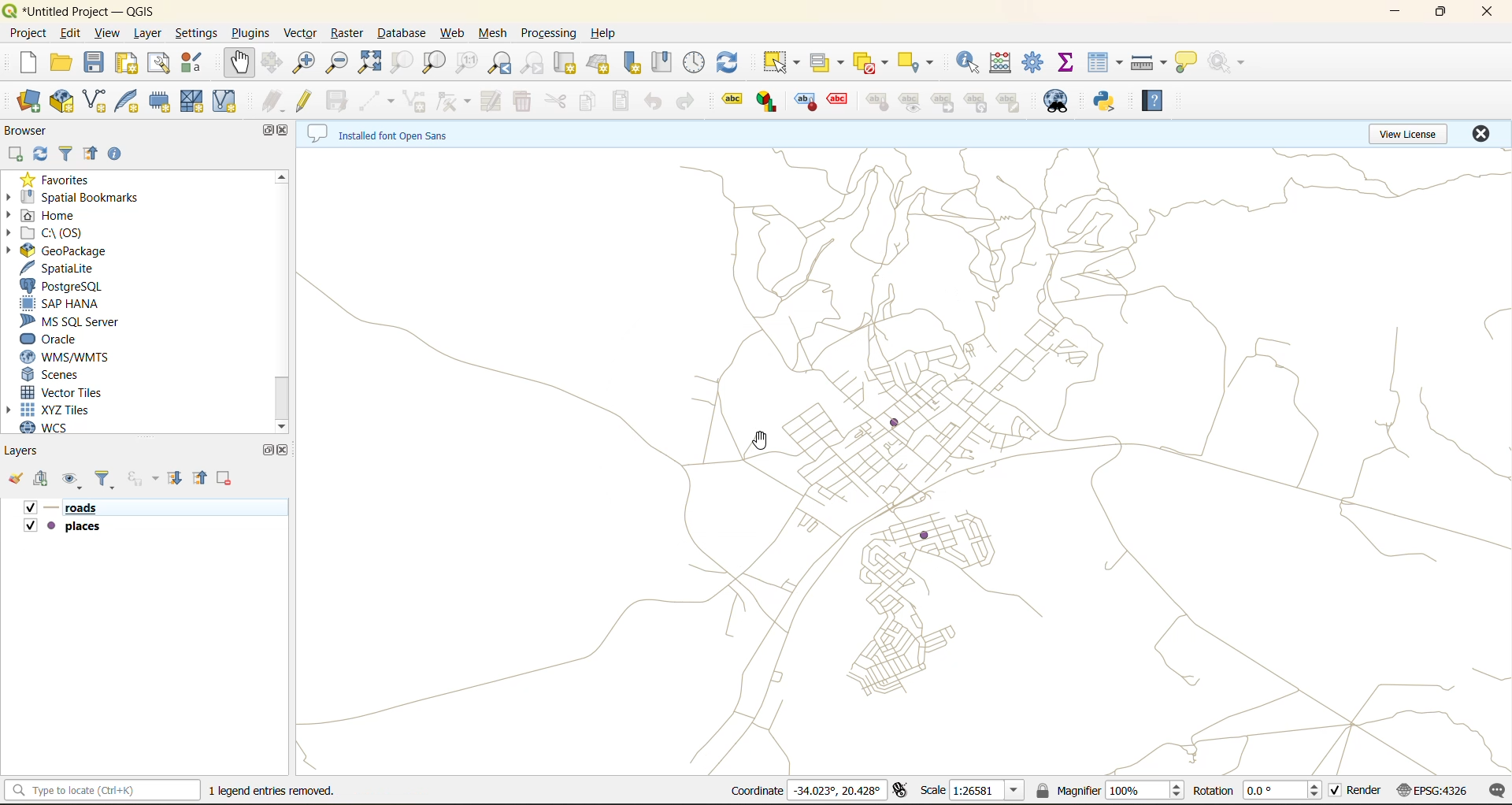  I want to click on enable properties, so click(114, 153).